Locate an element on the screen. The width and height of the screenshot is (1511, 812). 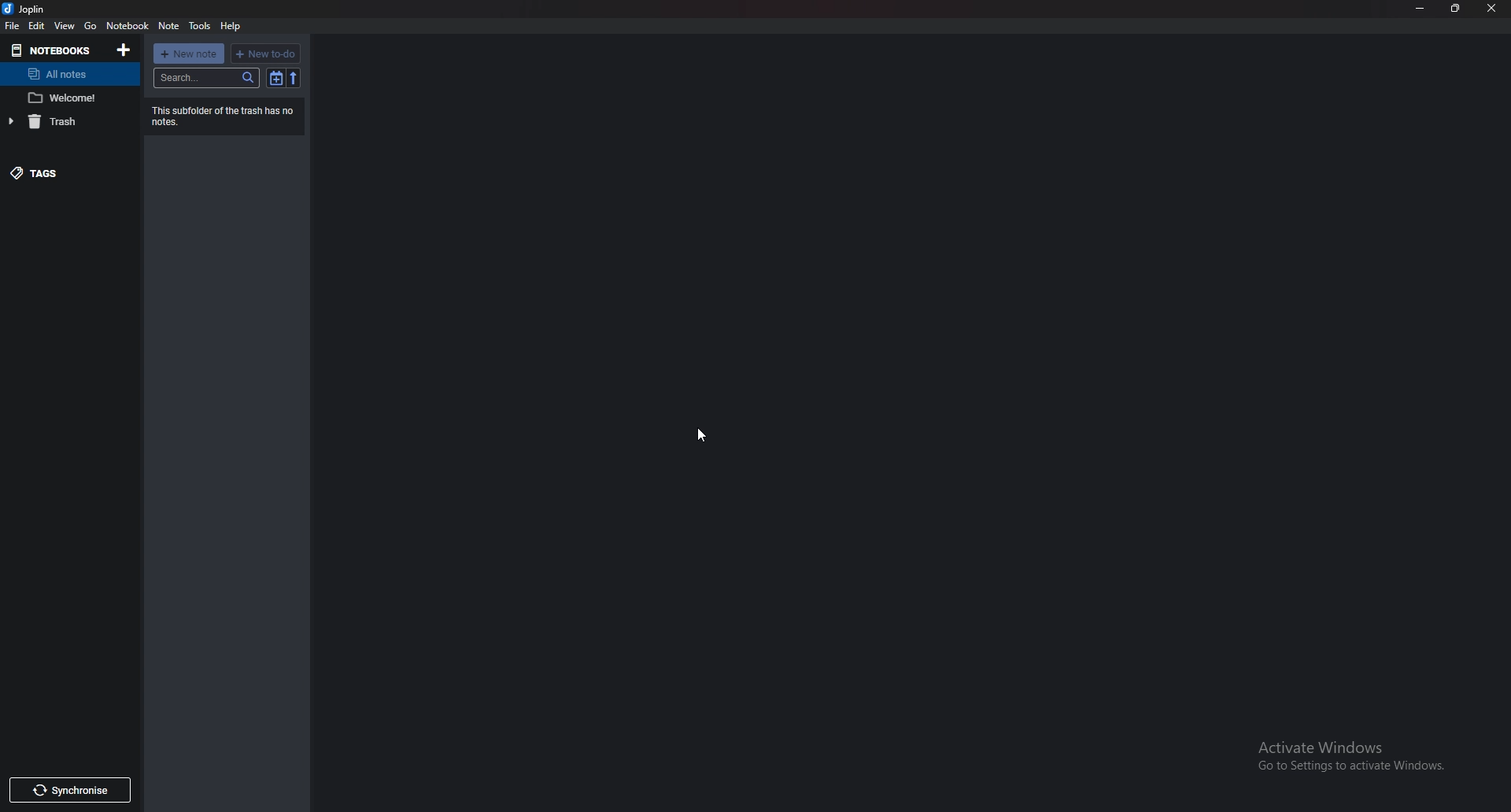
cursor is located at coordinates (700, 434).